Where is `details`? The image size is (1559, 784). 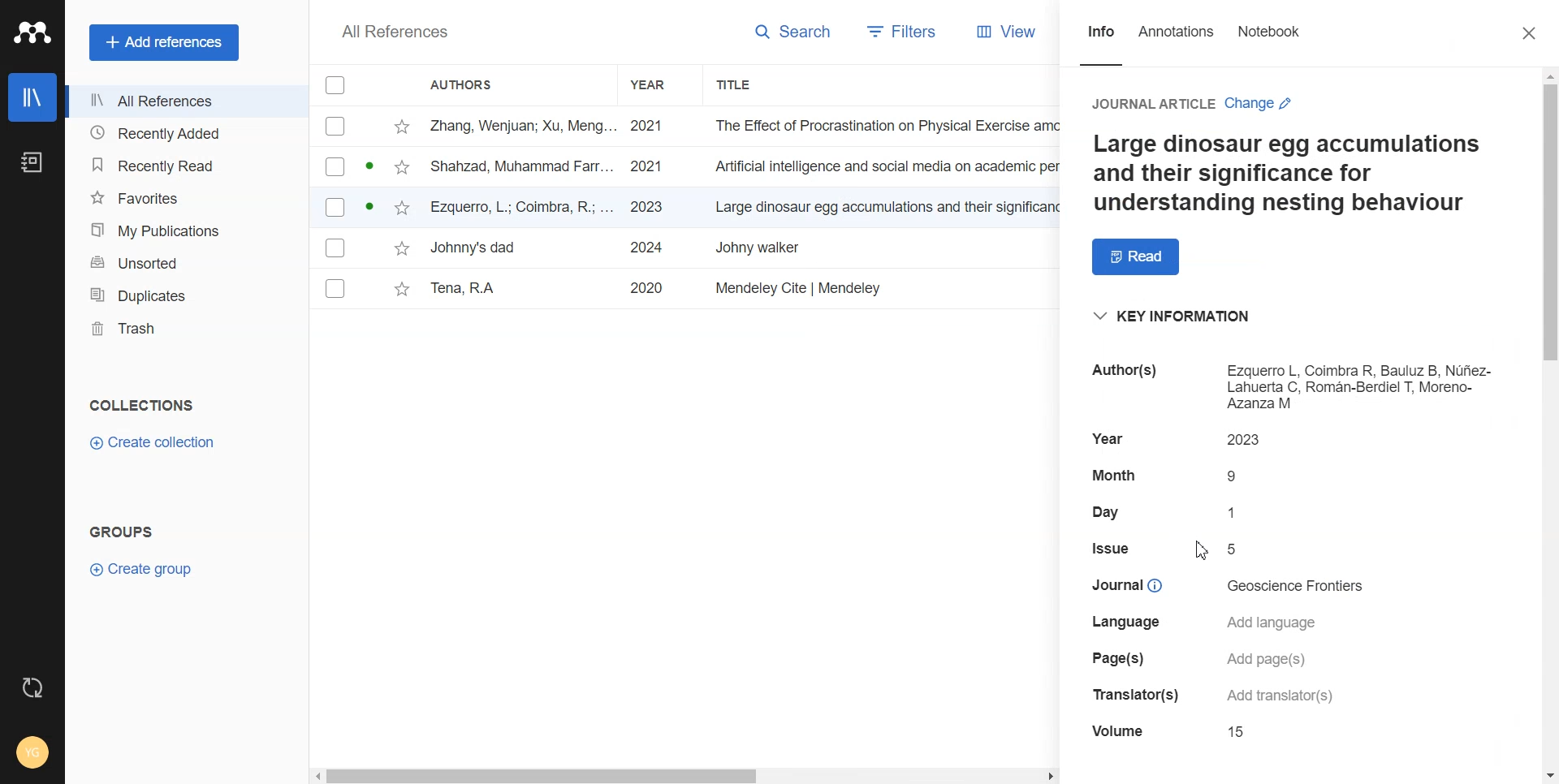
details is located at coordinates (1244, 440).